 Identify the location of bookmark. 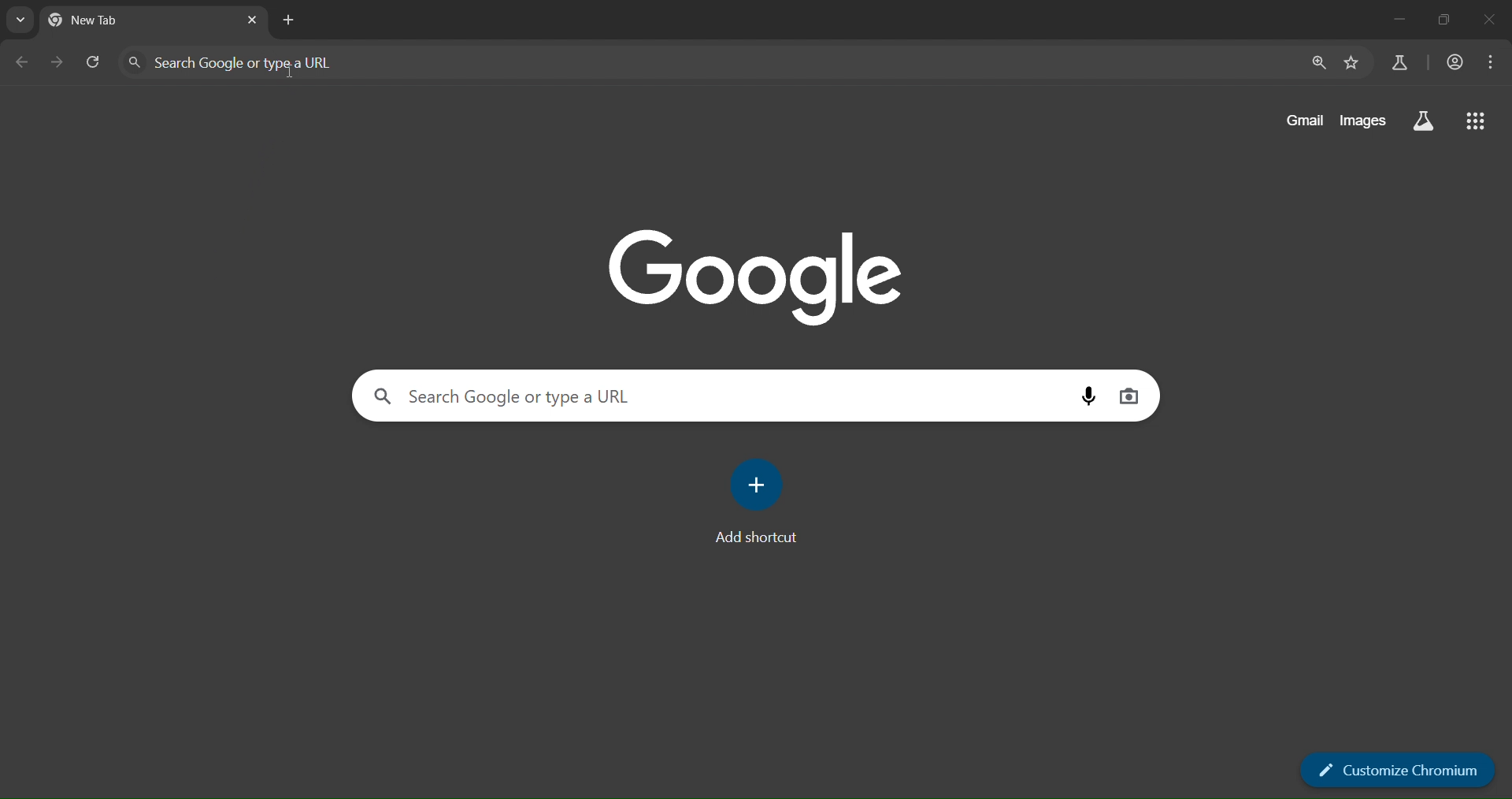
(1352, 63).